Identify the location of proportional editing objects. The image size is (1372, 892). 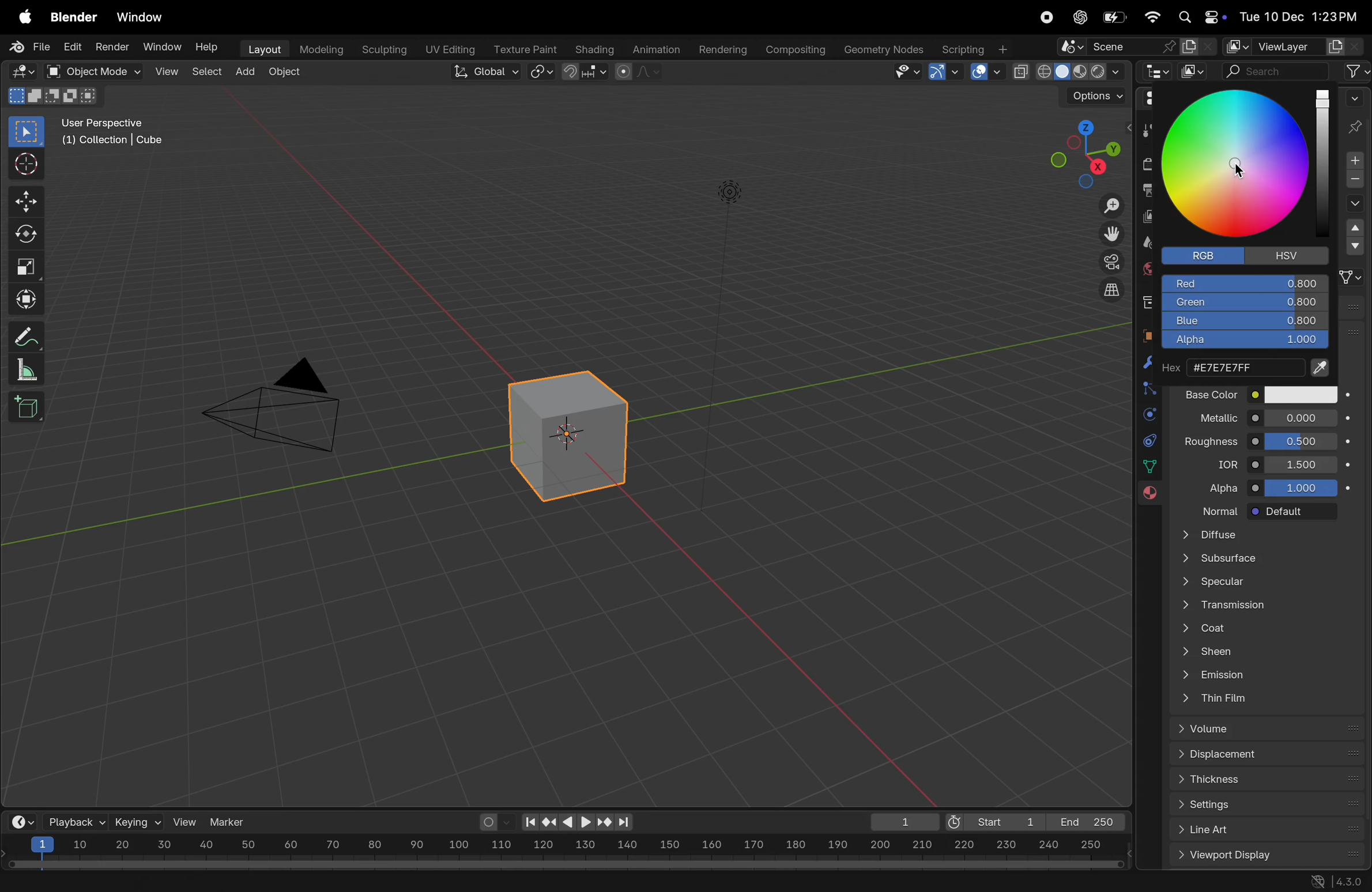
(640, 73).